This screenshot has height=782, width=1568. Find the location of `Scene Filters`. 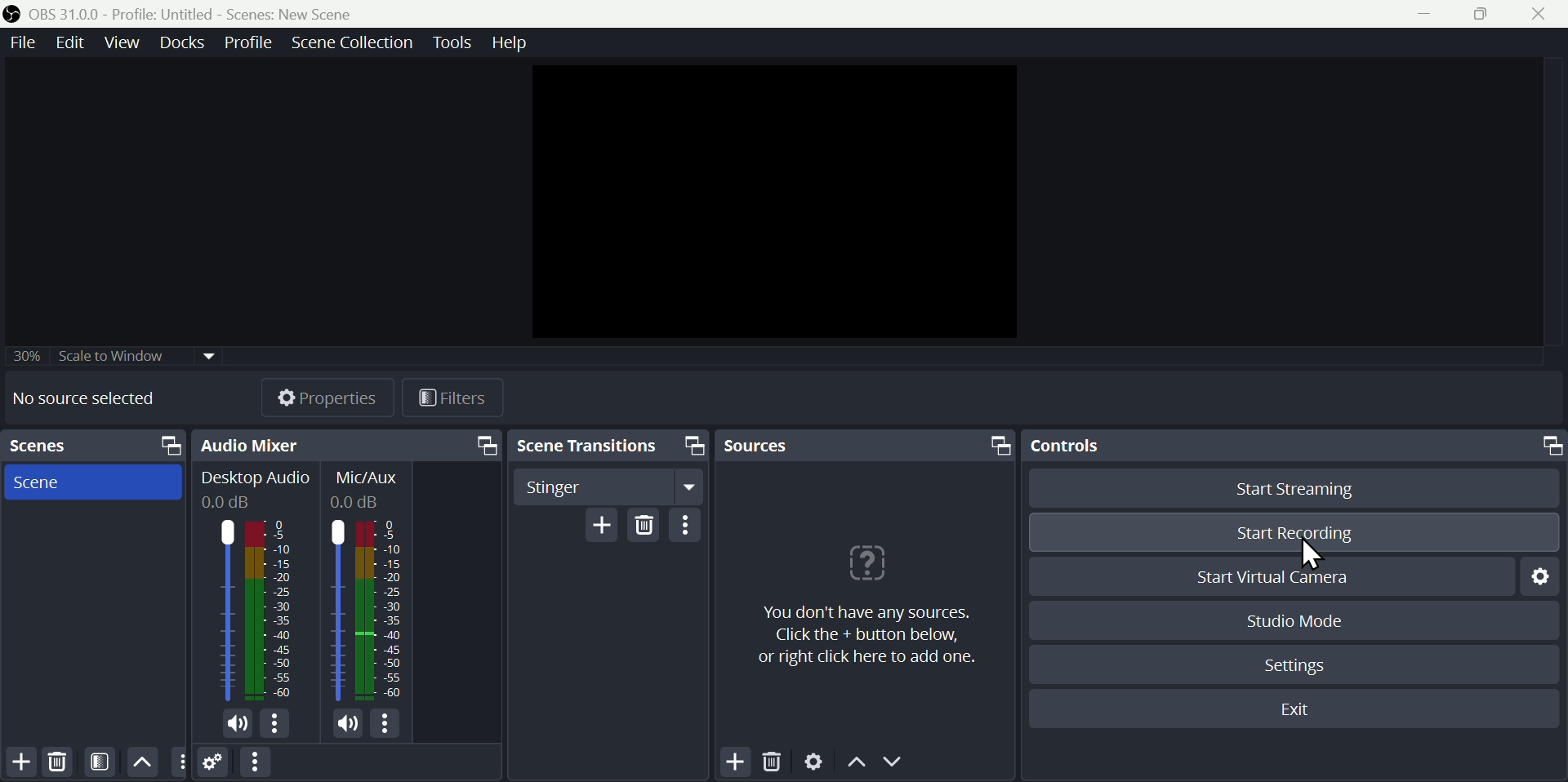

Scene Filters is located at coordinates (101, 760).